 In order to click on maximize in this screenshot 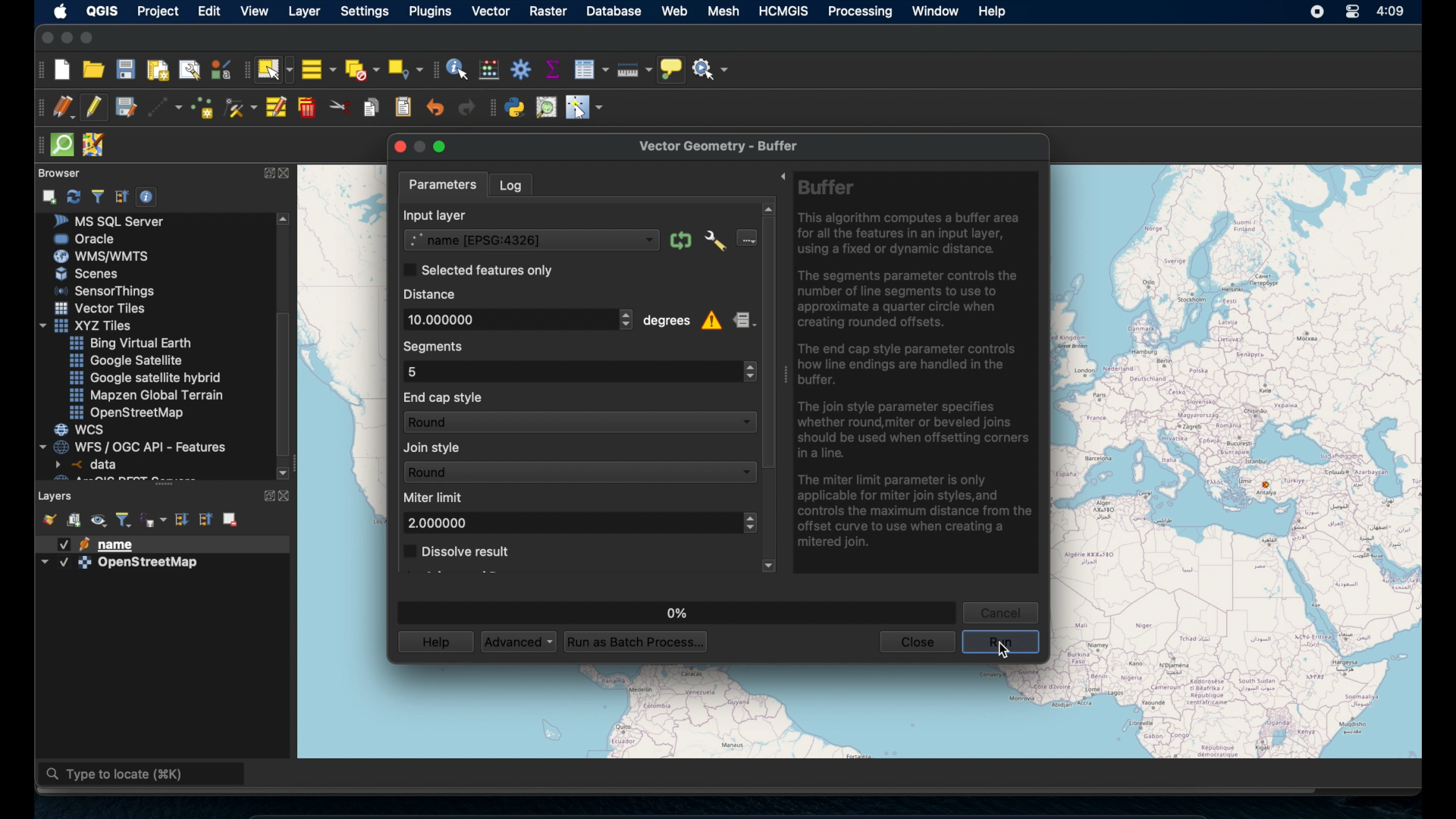, I will do `click(445, 146)`.